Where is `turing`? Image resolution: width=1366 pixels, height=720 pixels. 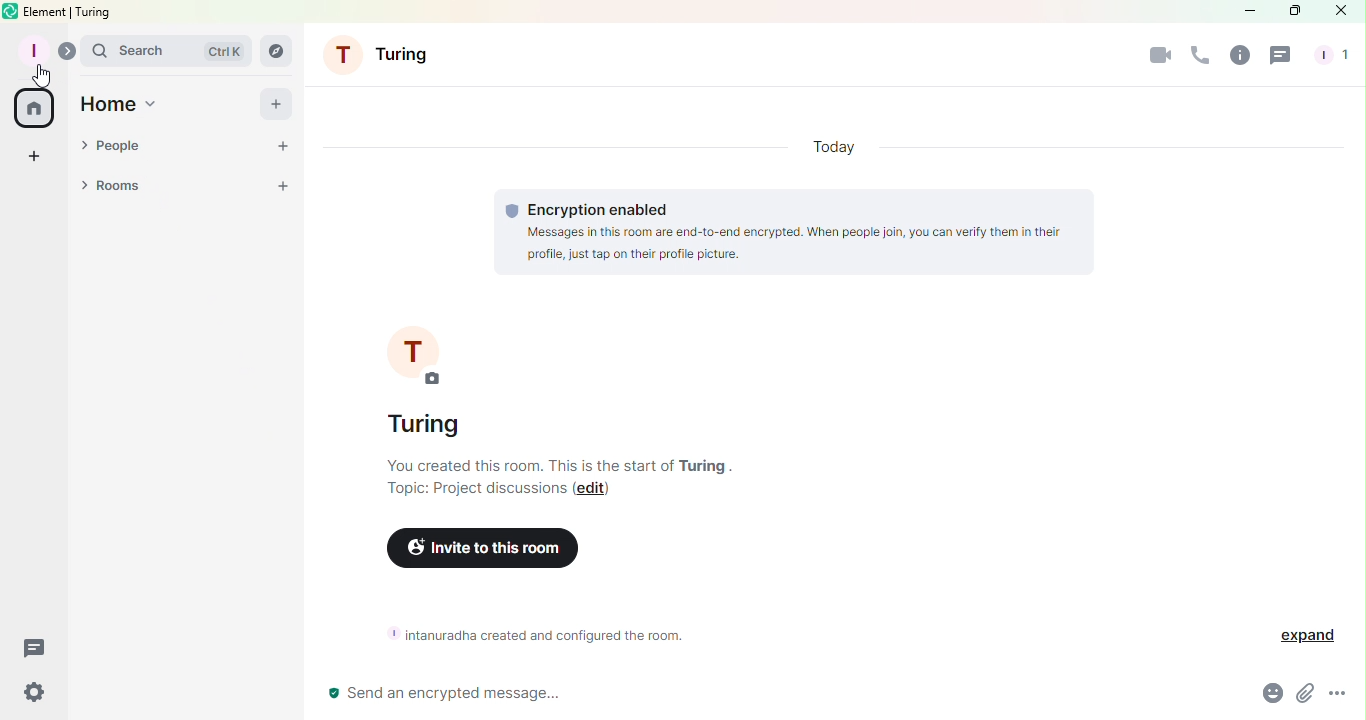 turing is located at coordinates (709, 465).